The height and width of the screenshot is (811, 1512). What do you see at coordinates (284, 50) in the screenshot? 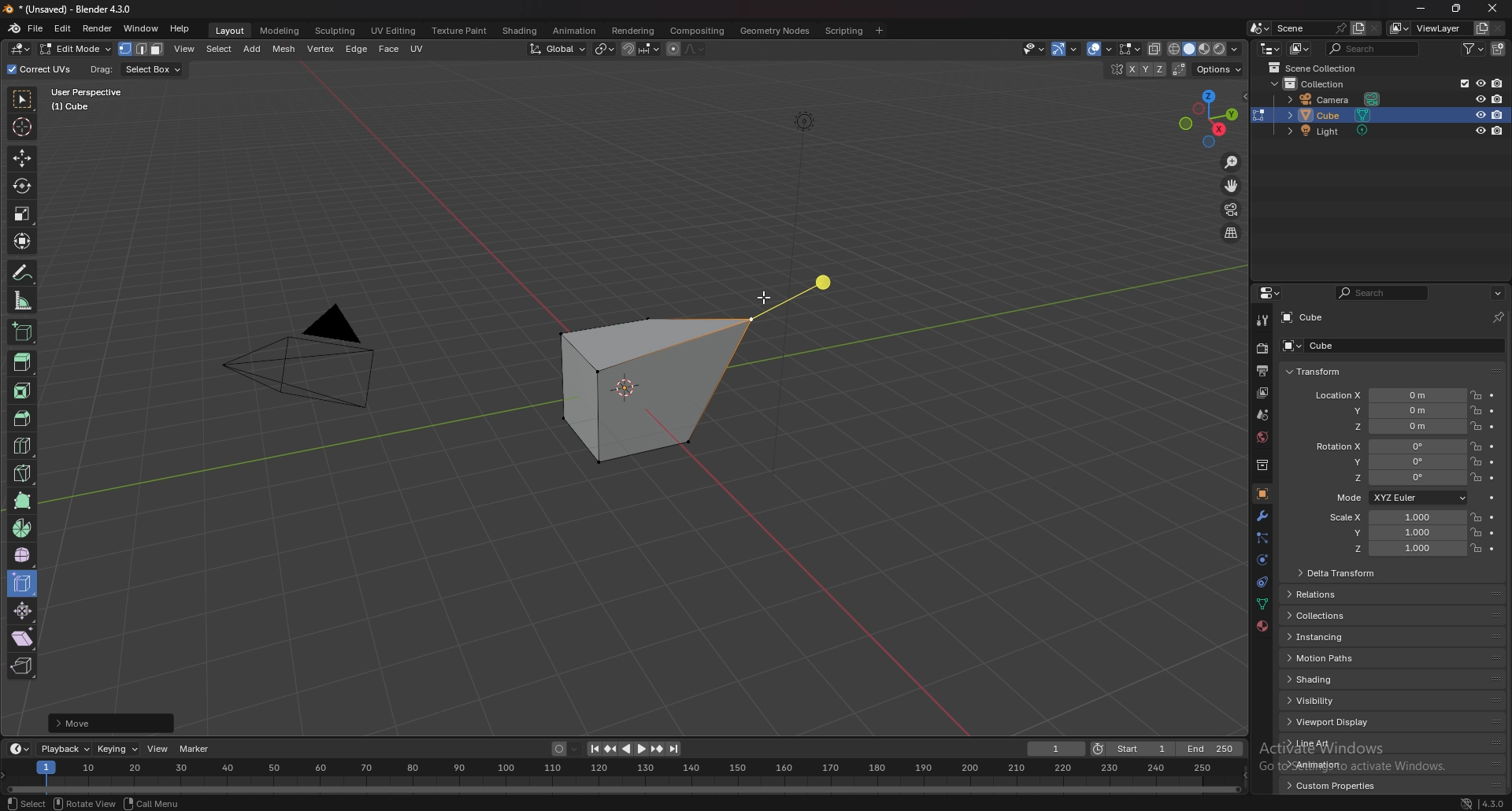
I see `mesh` at bounding box center [284, 50].